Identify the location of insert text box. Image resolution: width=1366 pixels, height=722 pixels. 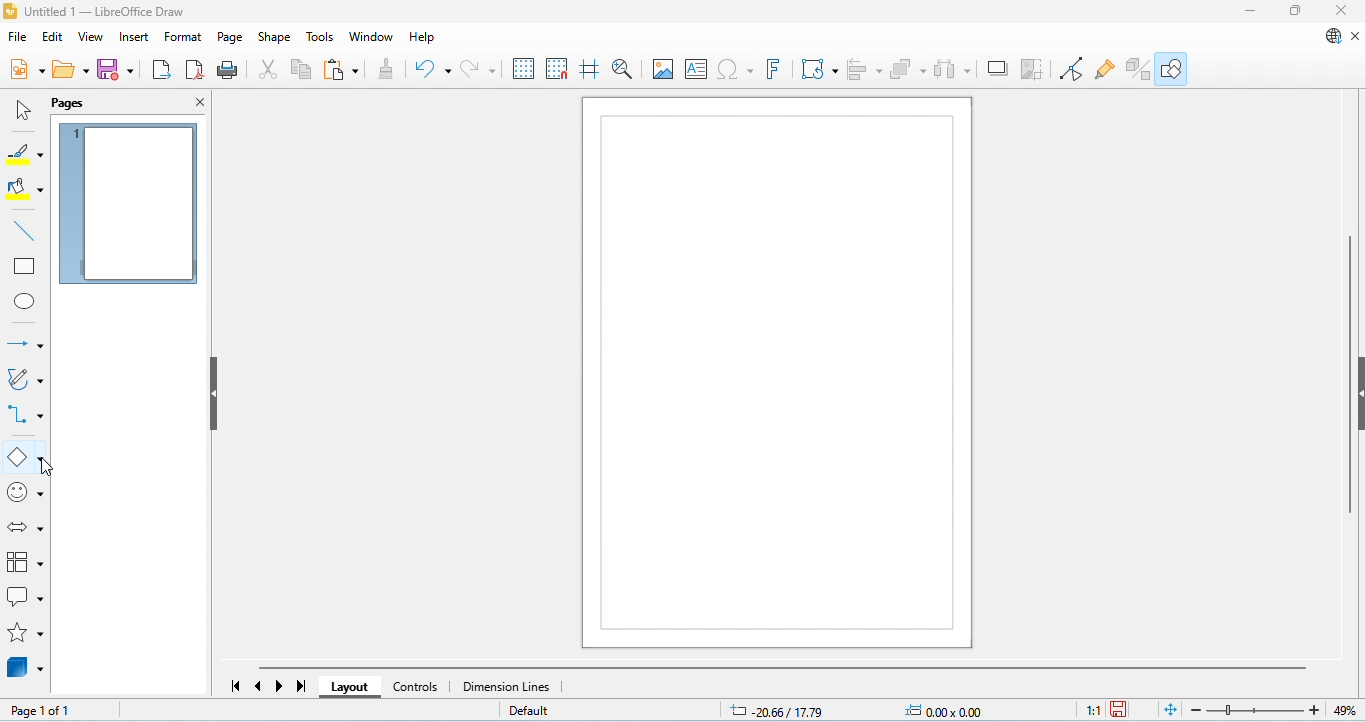
(696, 70).